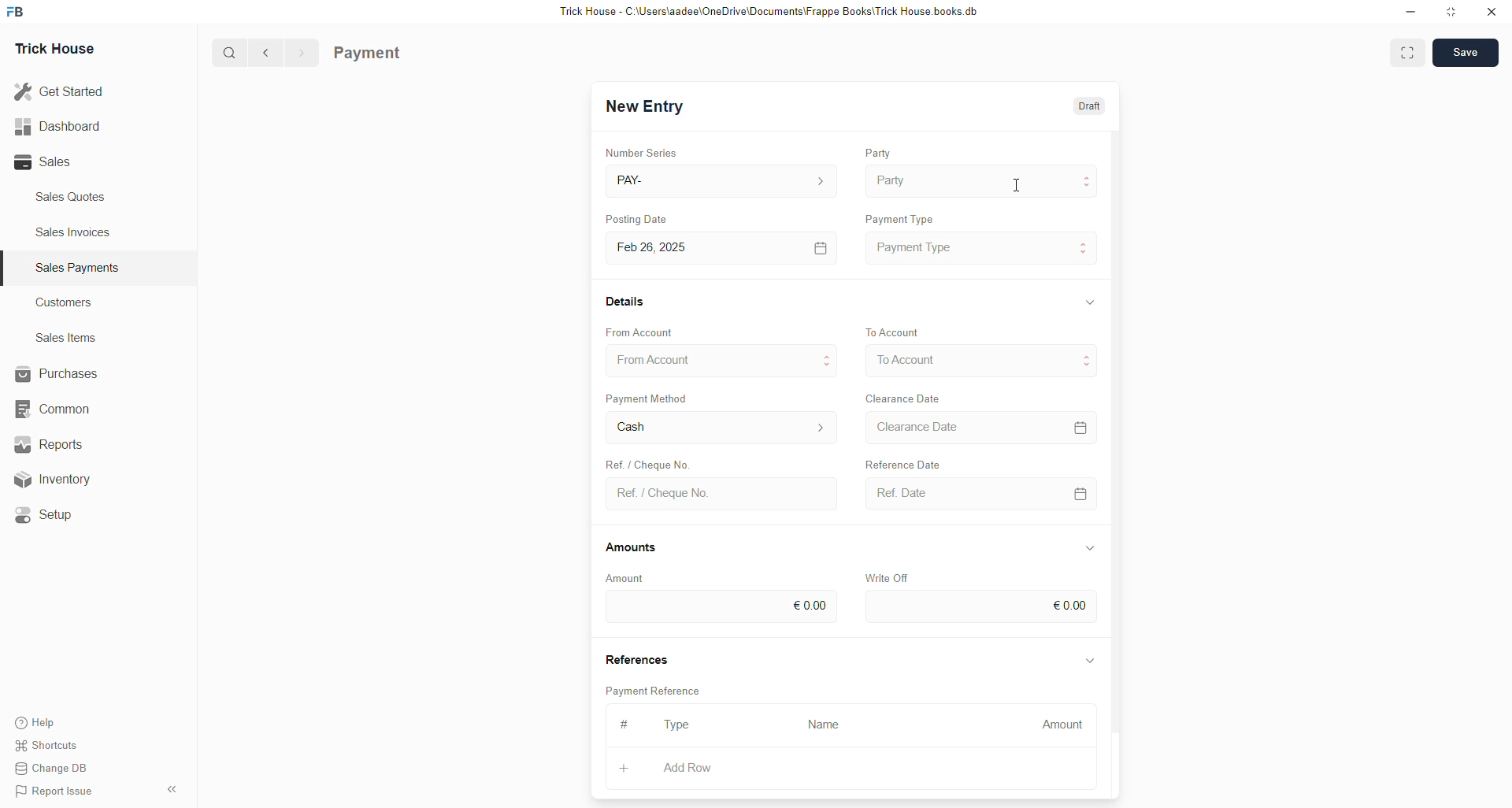  What do you see at coordinates (60, 410) in the screenshot?
I see `Common` at bounding box center [60, 410].